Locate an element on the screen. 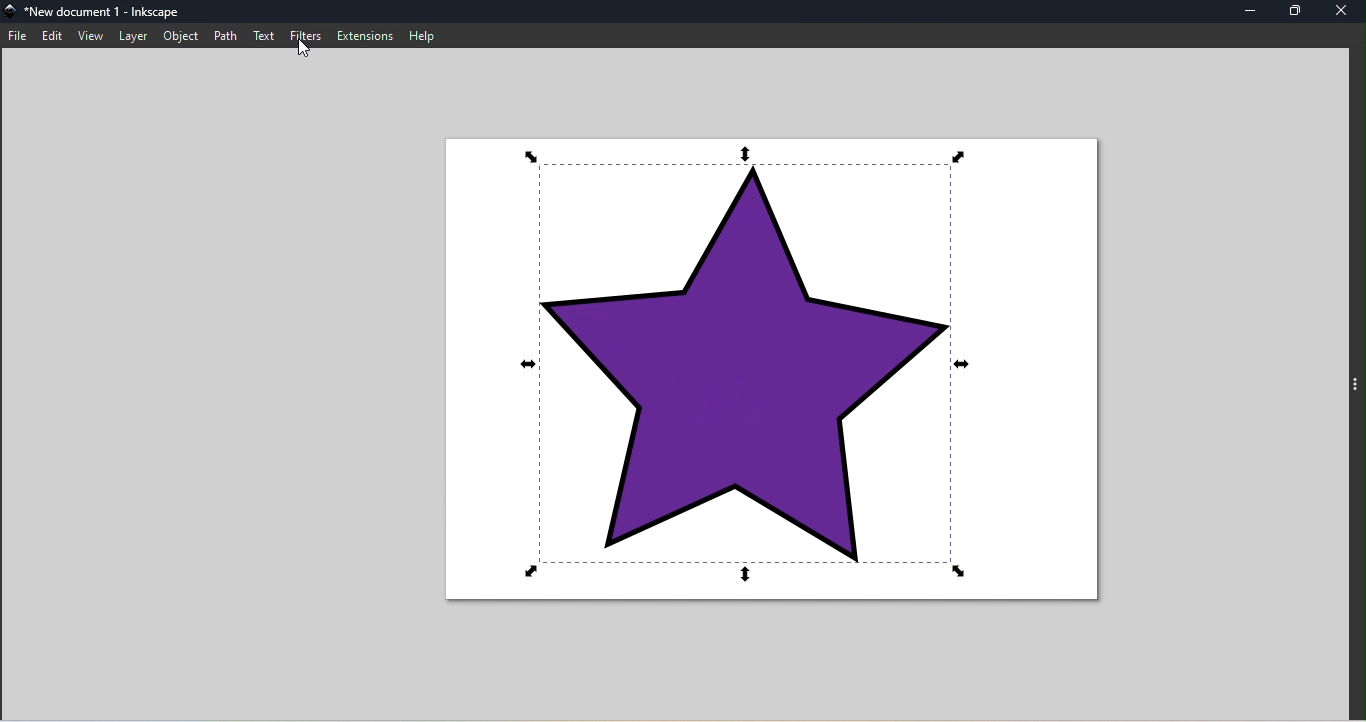 This screenshot has height=722, width=1366. Text is located at coordinates (264, 35).